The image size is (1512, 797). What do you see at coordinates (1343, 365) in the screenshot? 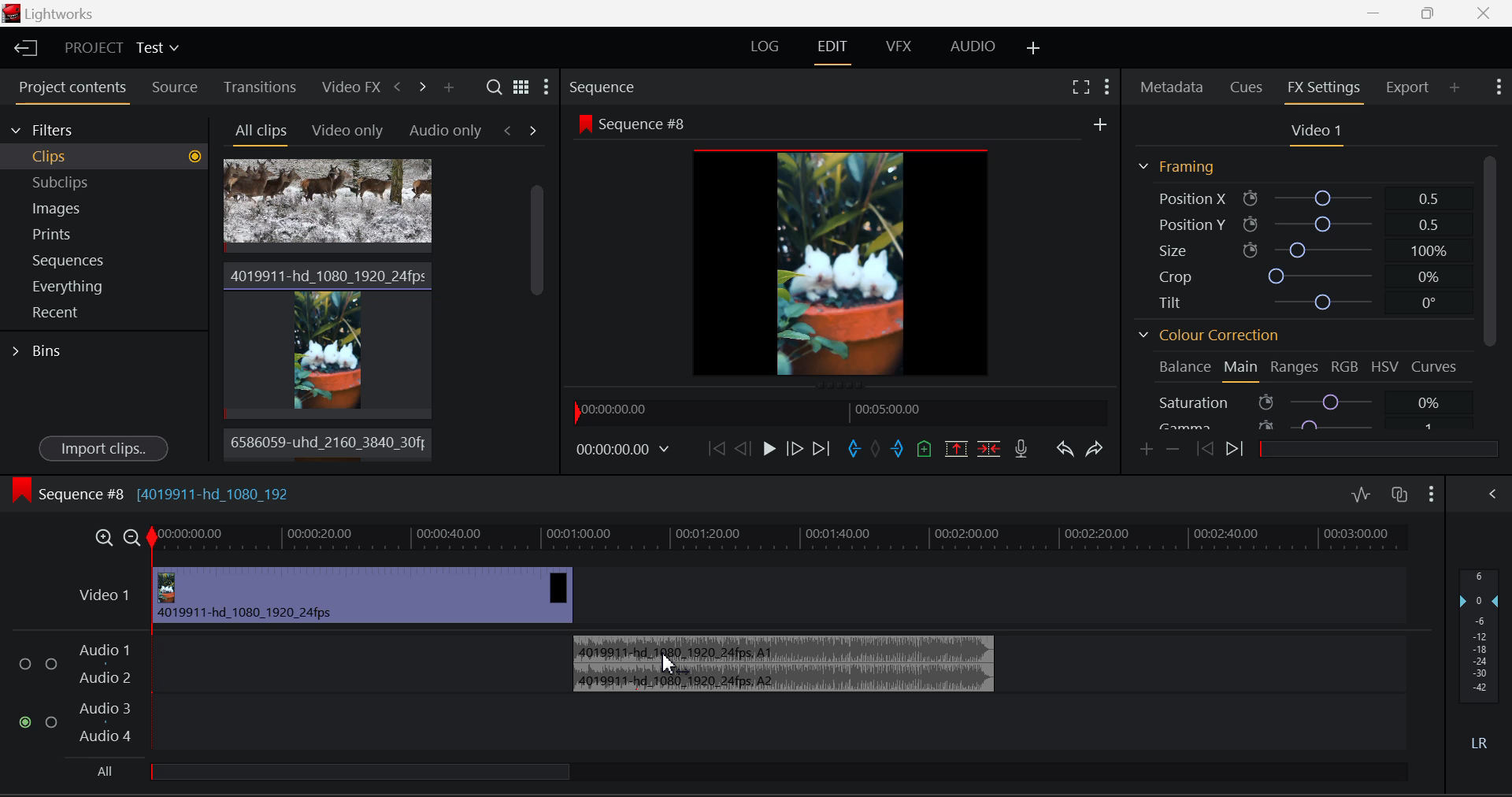
I see `RGB` at bounding box center [1343, 365].